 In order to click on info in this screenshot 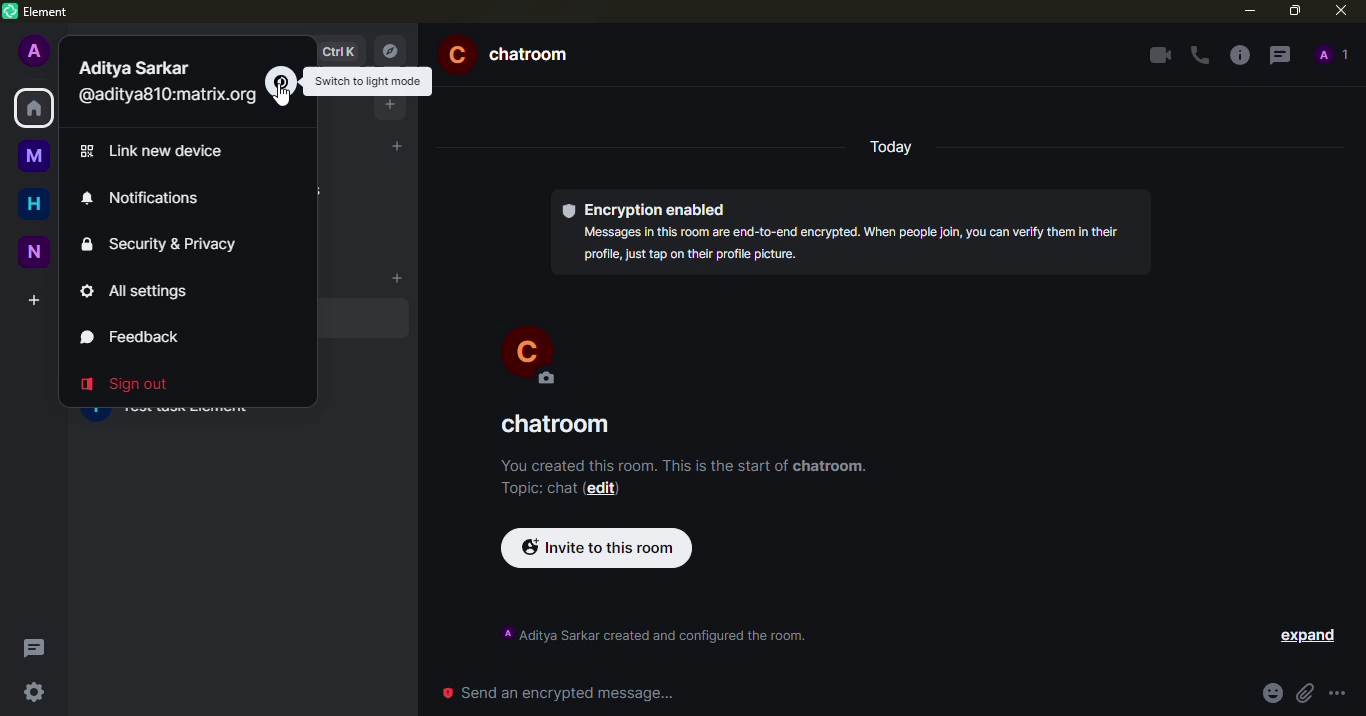, I will do `click(1239, 54)`.